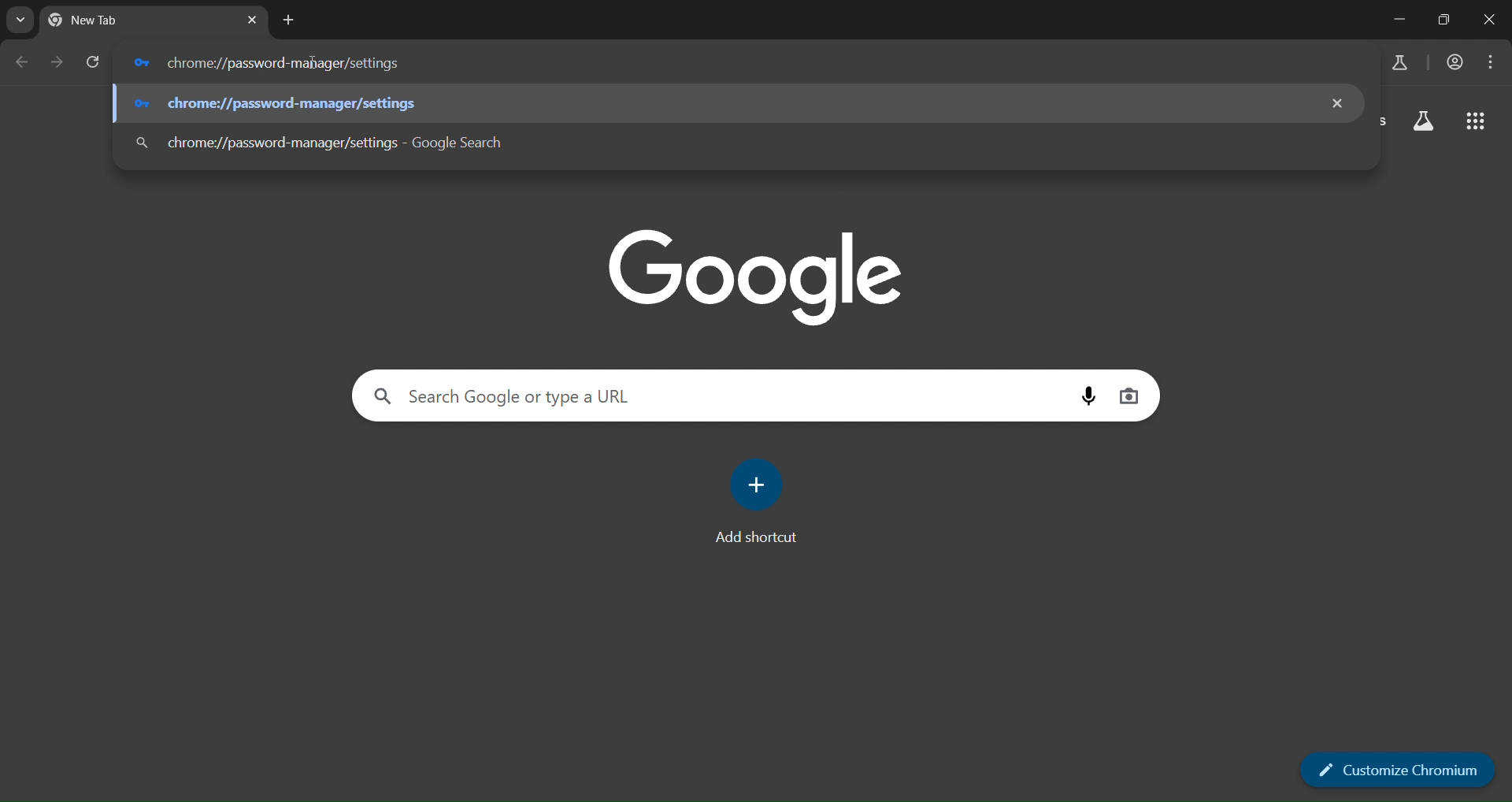 This screenshot has height=802, width=1512. I want to click on remove, so click(1340, 102).